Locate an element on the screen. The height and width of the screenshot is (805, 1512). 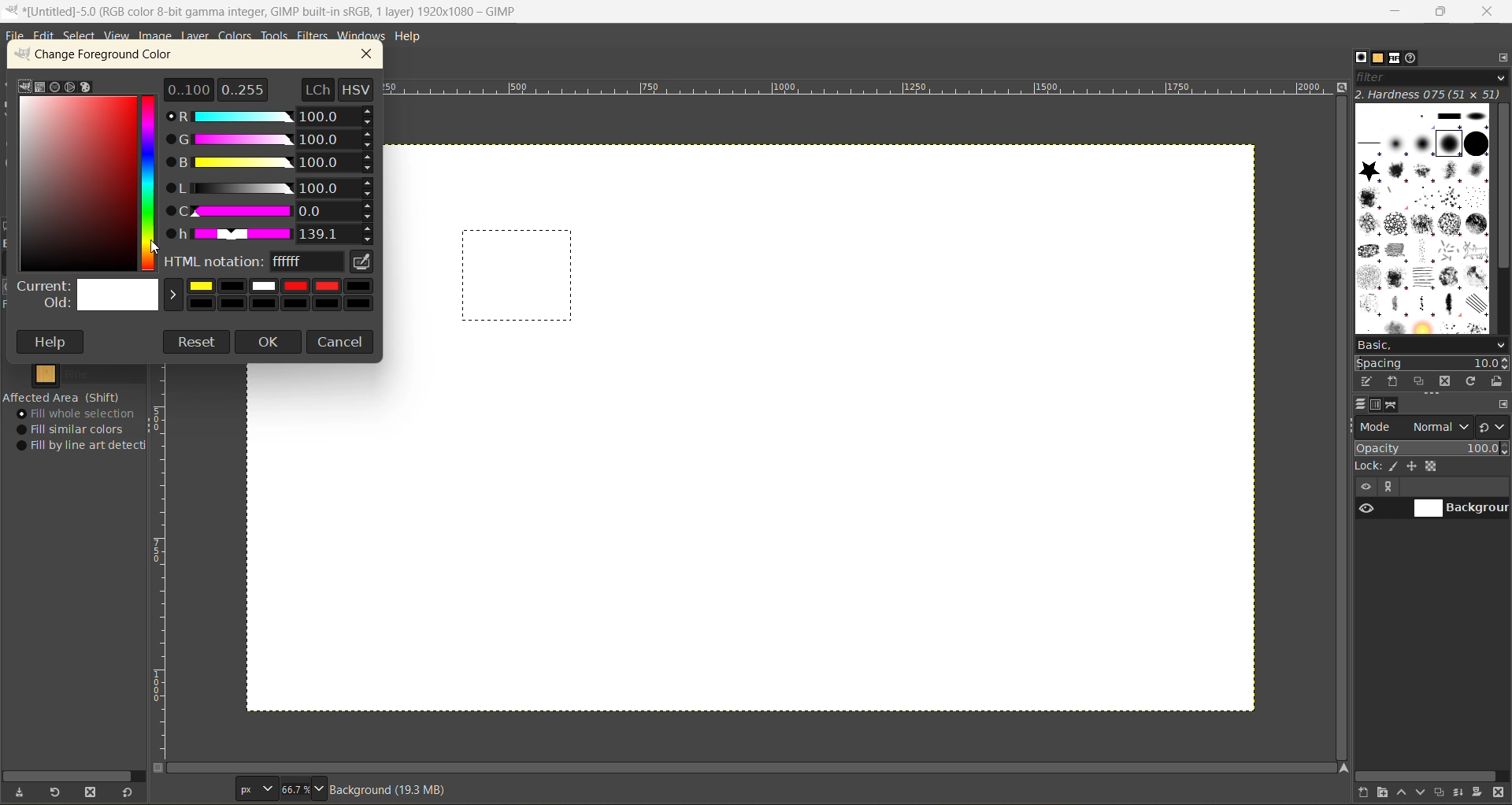
metadata is located at coordinates (396, 789).